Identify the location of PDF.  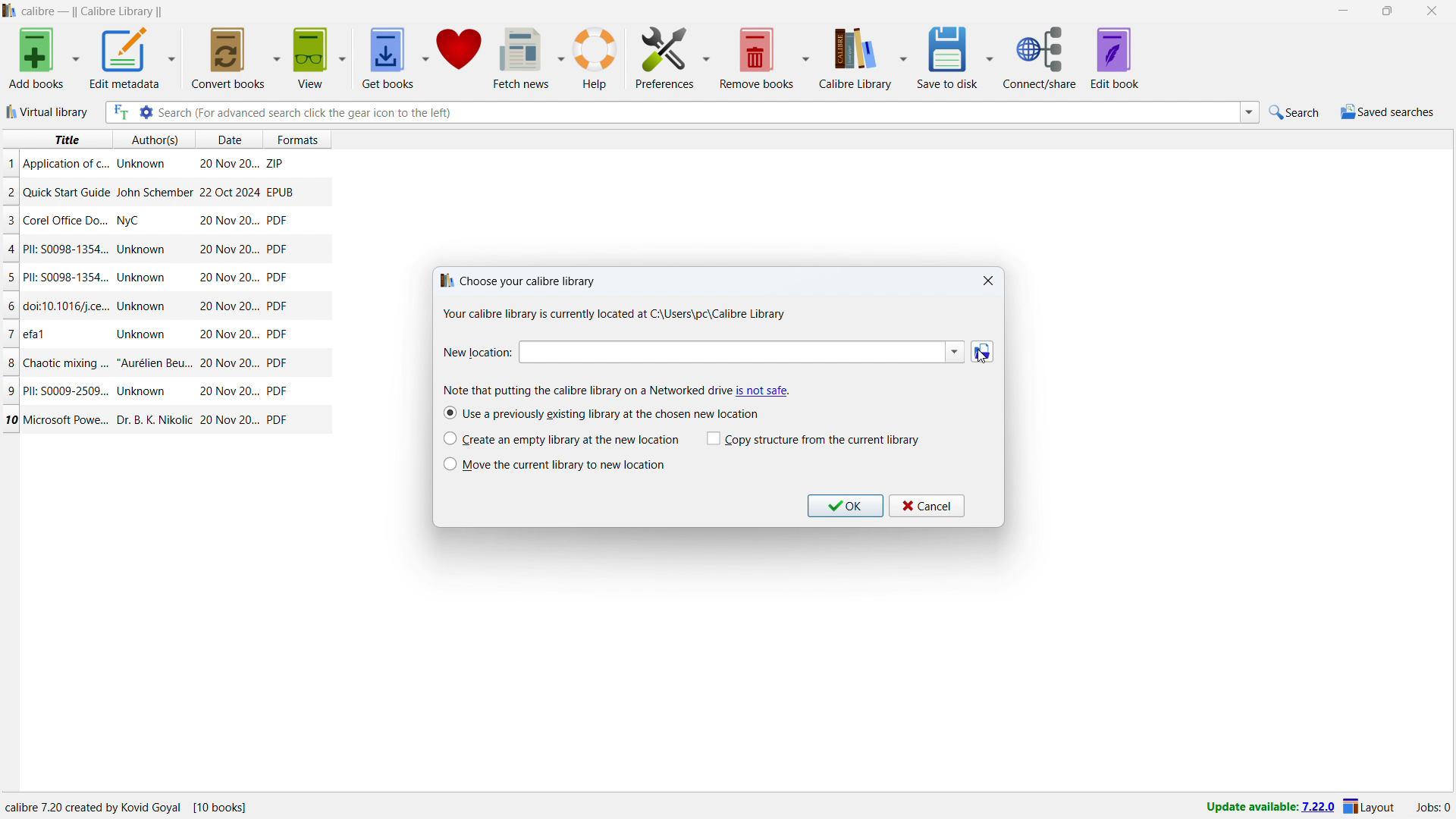
(278, 334).